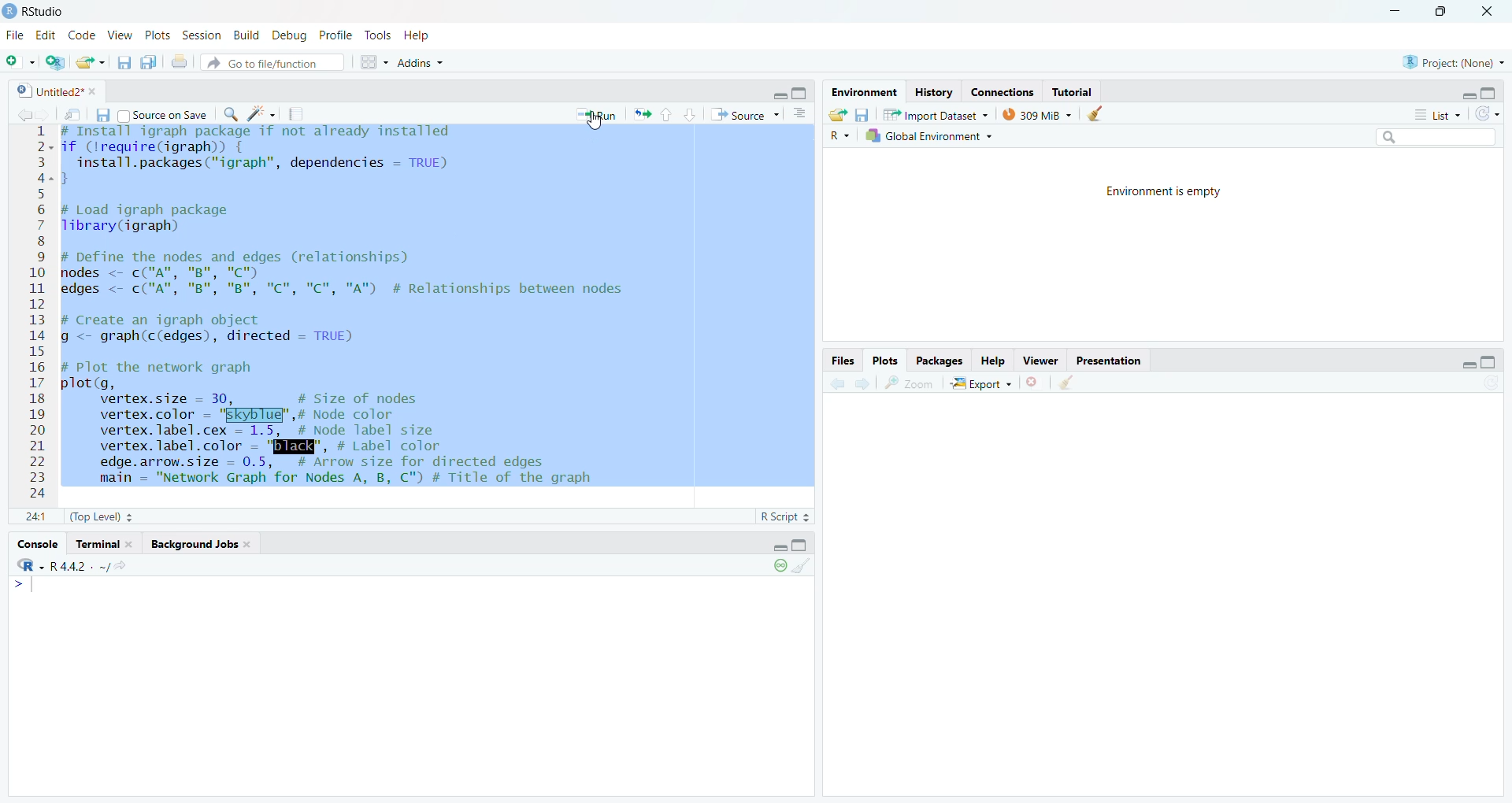 Image resolution: width=1512 pixels, height=803 pixels. I want to click on export, so click(90, 62).